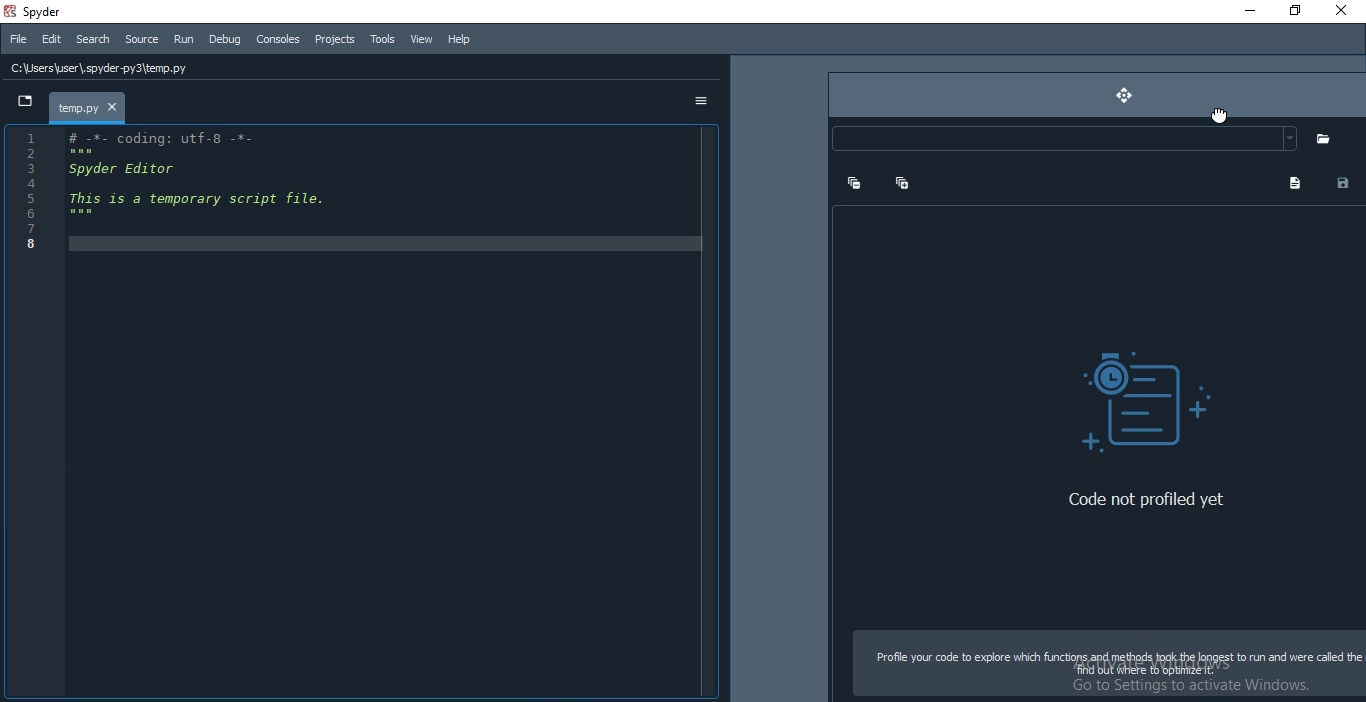 The height and width of the screenshot is (702, 1366). I want to click on Run, so click(182, 40).